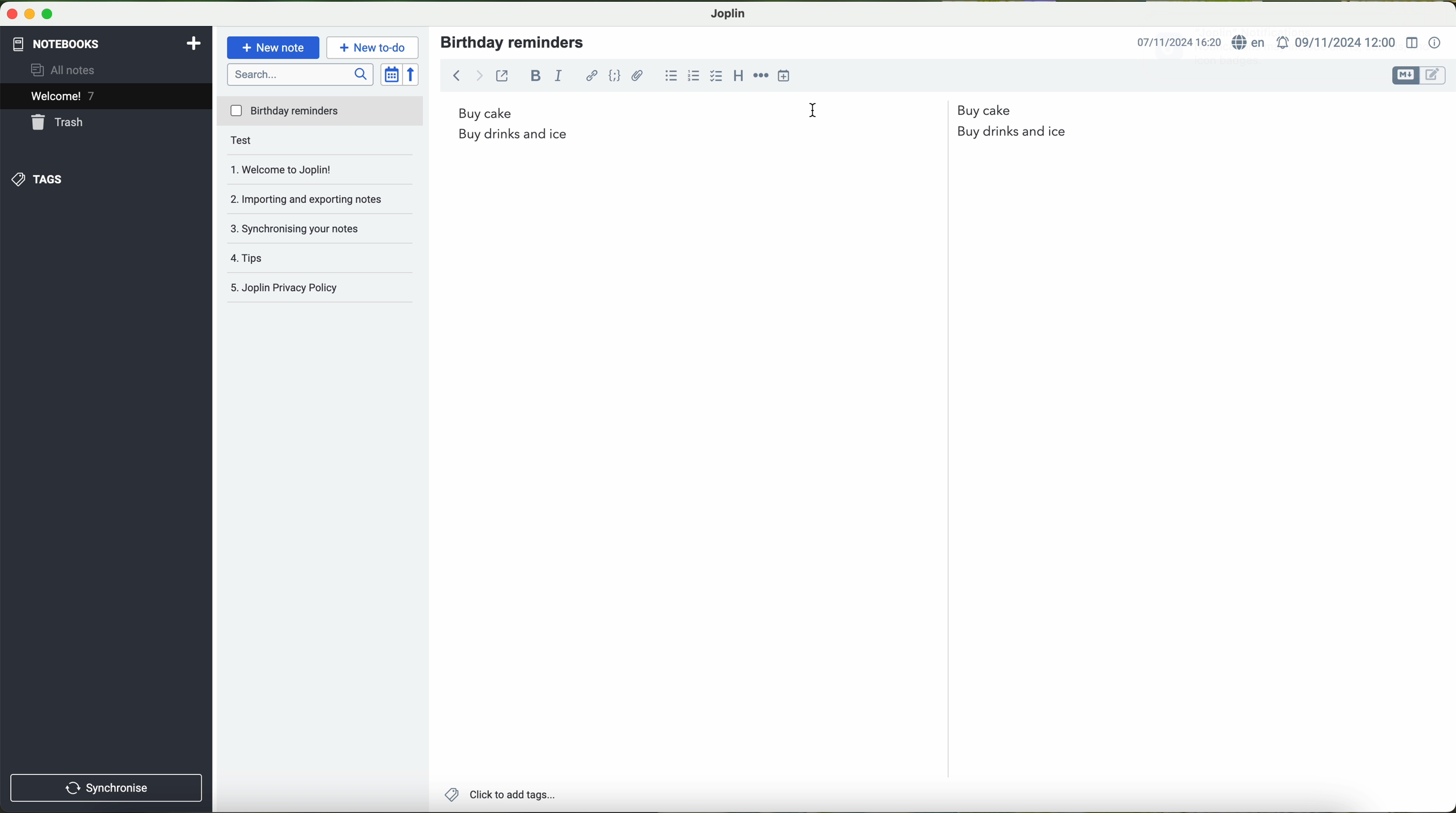 This screenshot has height=813, width=1456. I want to click on new note button, so click(272, 47).